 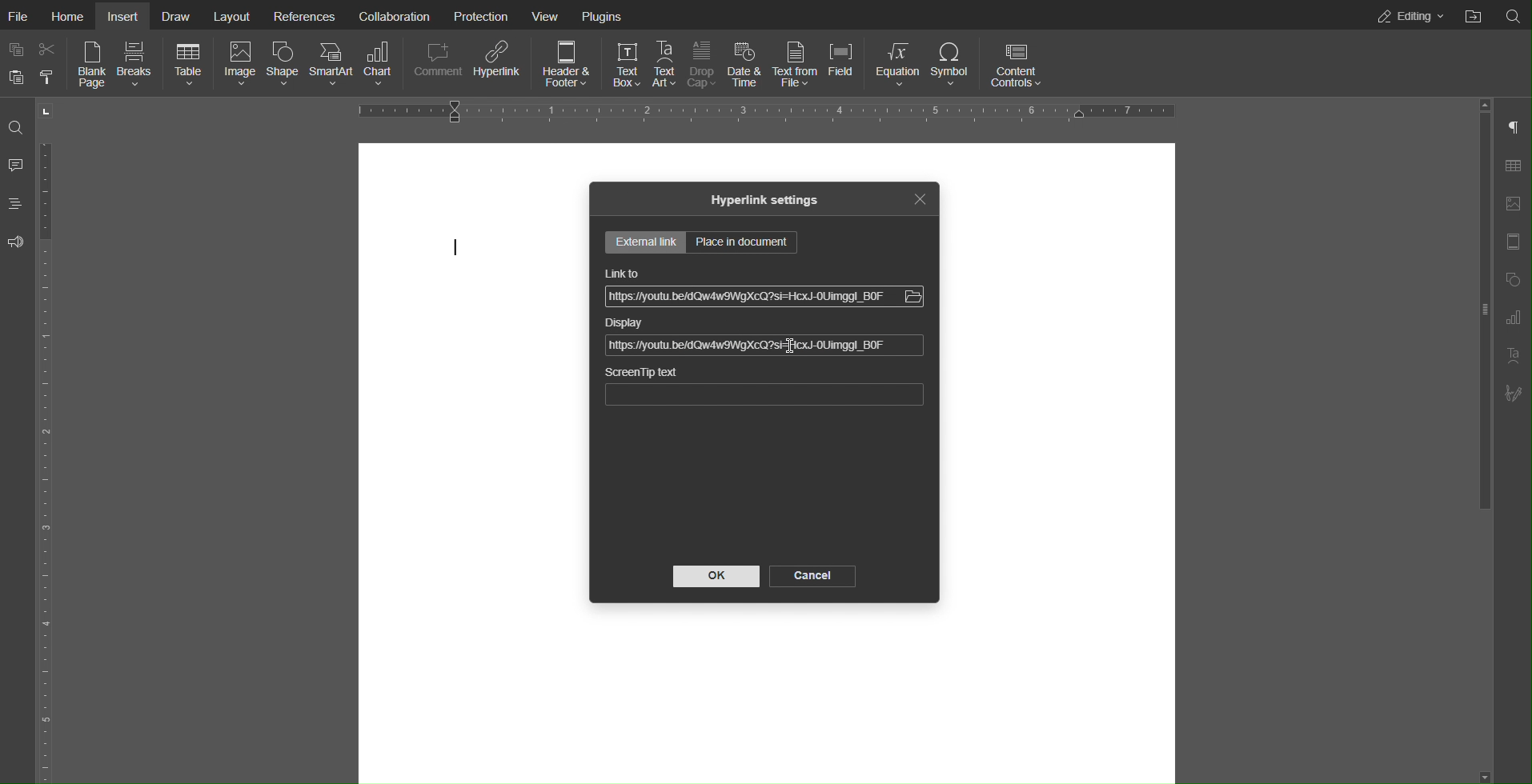 What do you see at coordinates (704, 65) in the screenshot?
I see `Drop Cap` at bounding box center [704, 65].